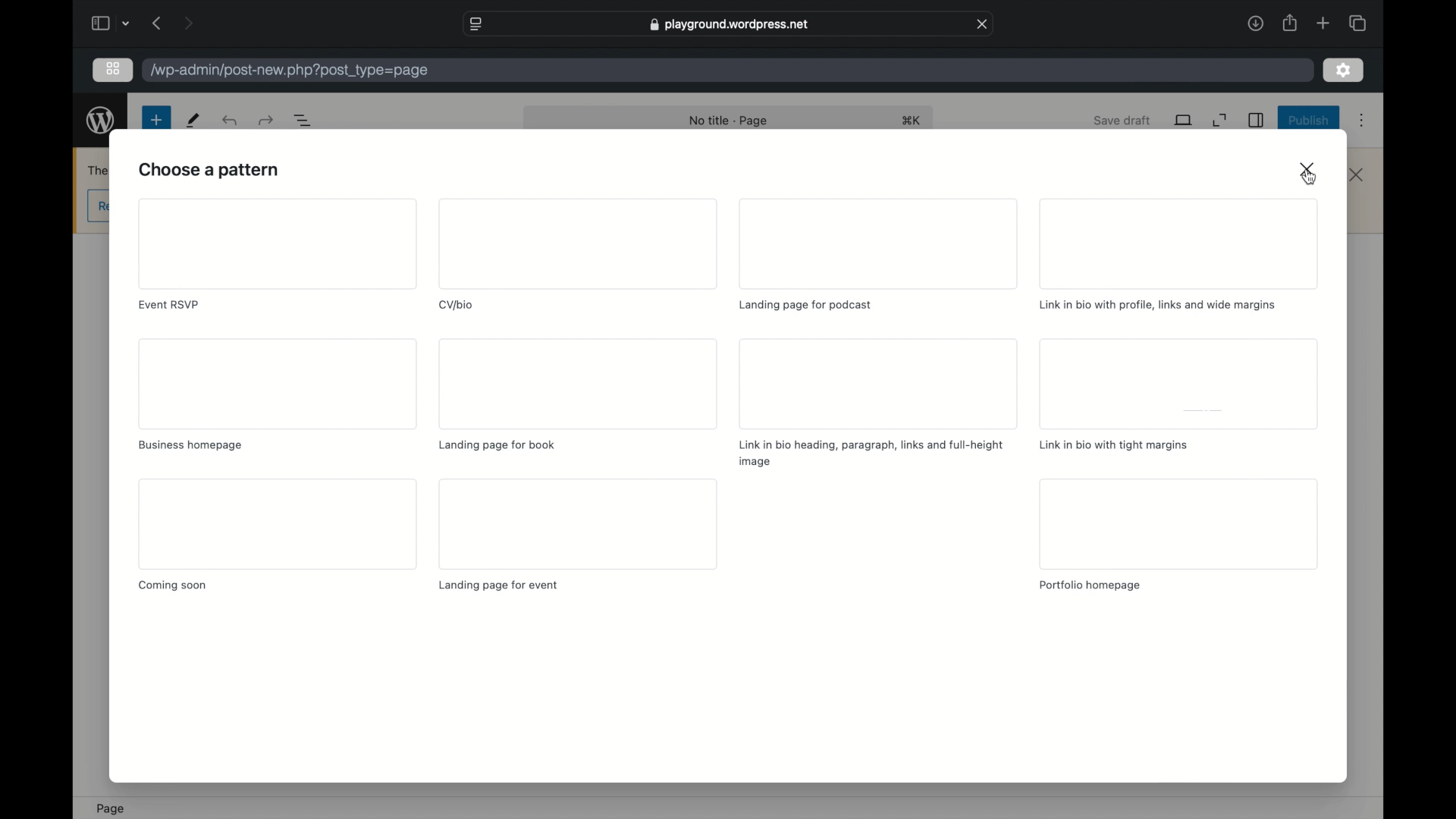 The height and width of the screenshot is (819, 1456). Describe the element at coordinates (173, 585) in the screenshot. I see `coming soon` at that location.